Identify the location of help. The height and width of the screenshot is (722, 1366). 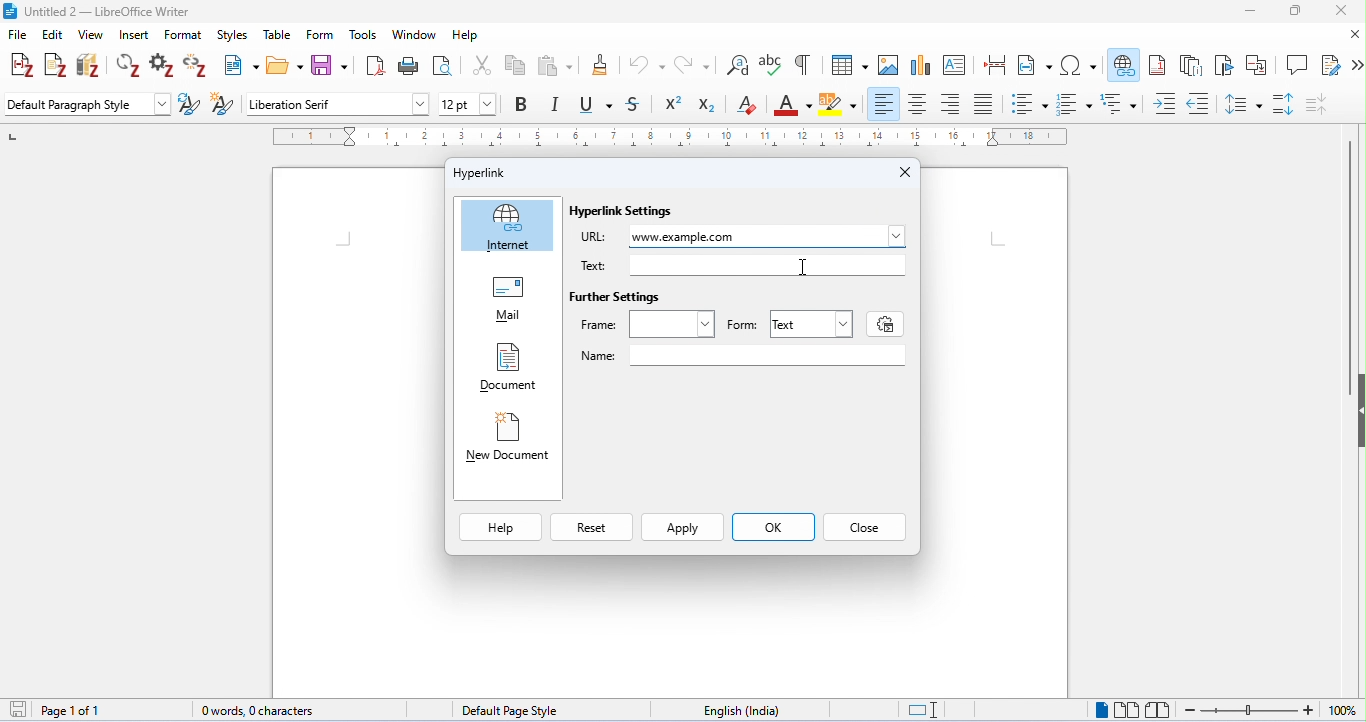
(466, 36).